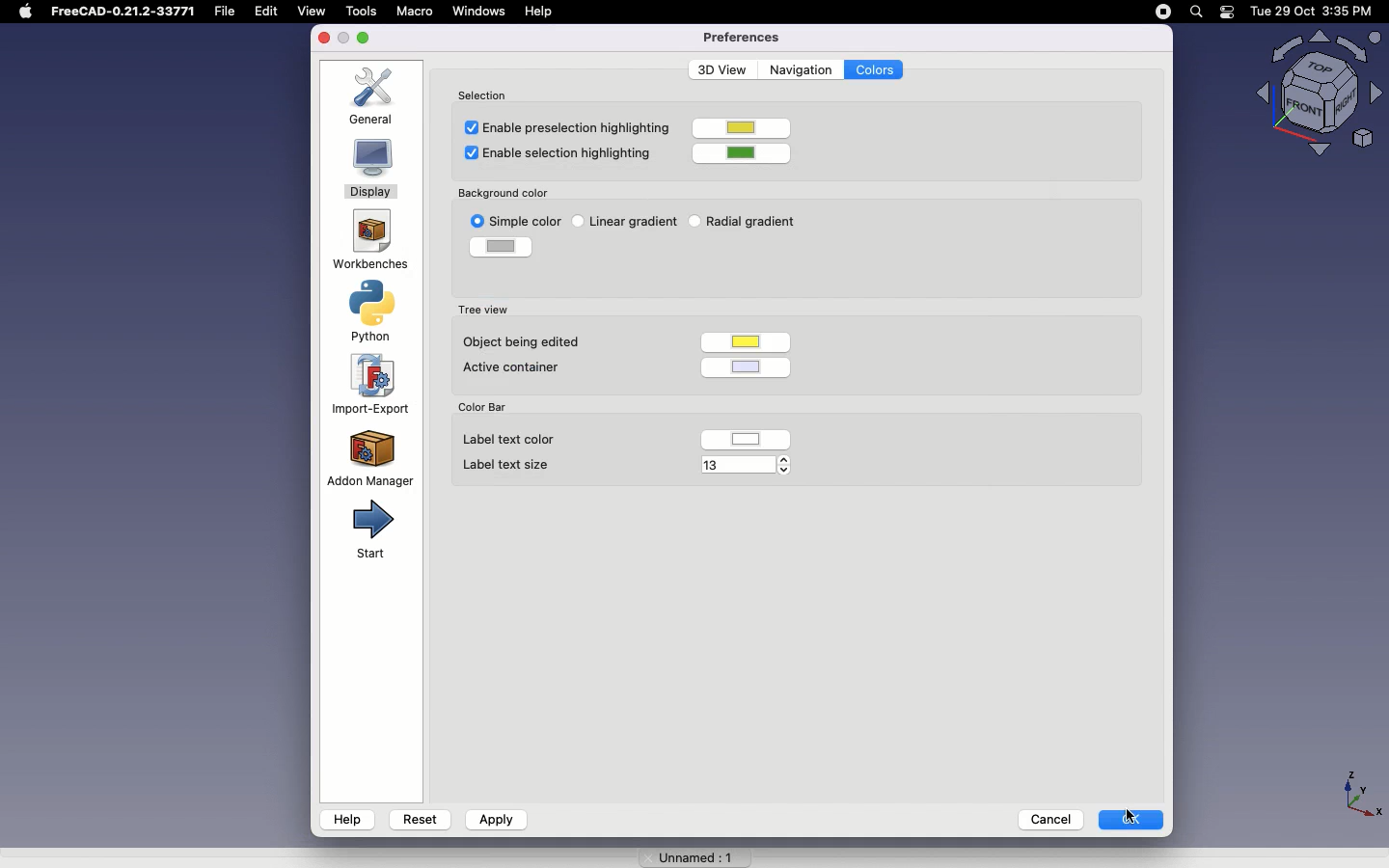 Image resolution: width=1389 pixels, height=868 pixels. I want to click on Macro, so click(414, 11).